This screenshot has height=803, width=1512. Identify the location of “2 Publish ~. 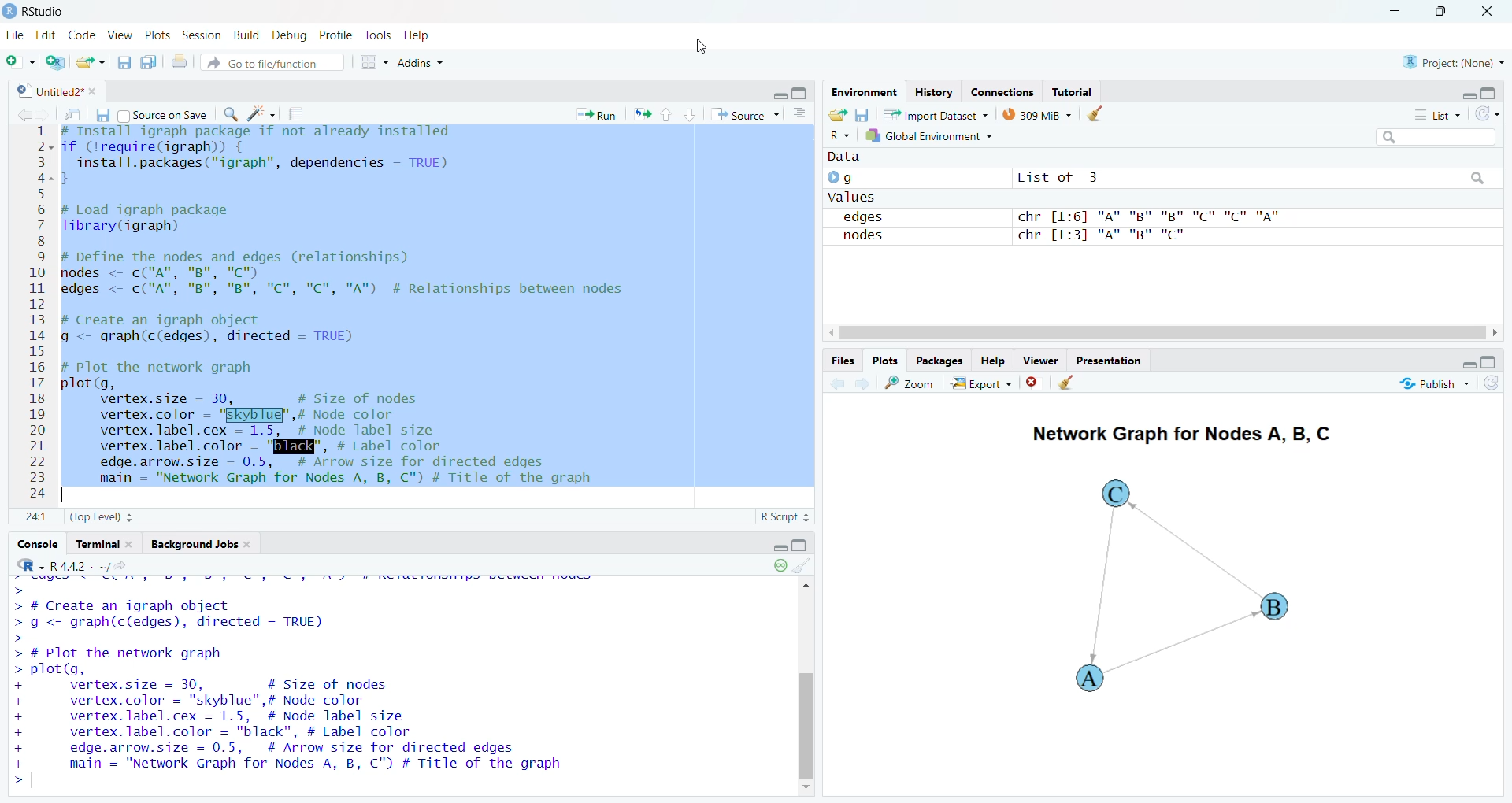
(1432, 384).